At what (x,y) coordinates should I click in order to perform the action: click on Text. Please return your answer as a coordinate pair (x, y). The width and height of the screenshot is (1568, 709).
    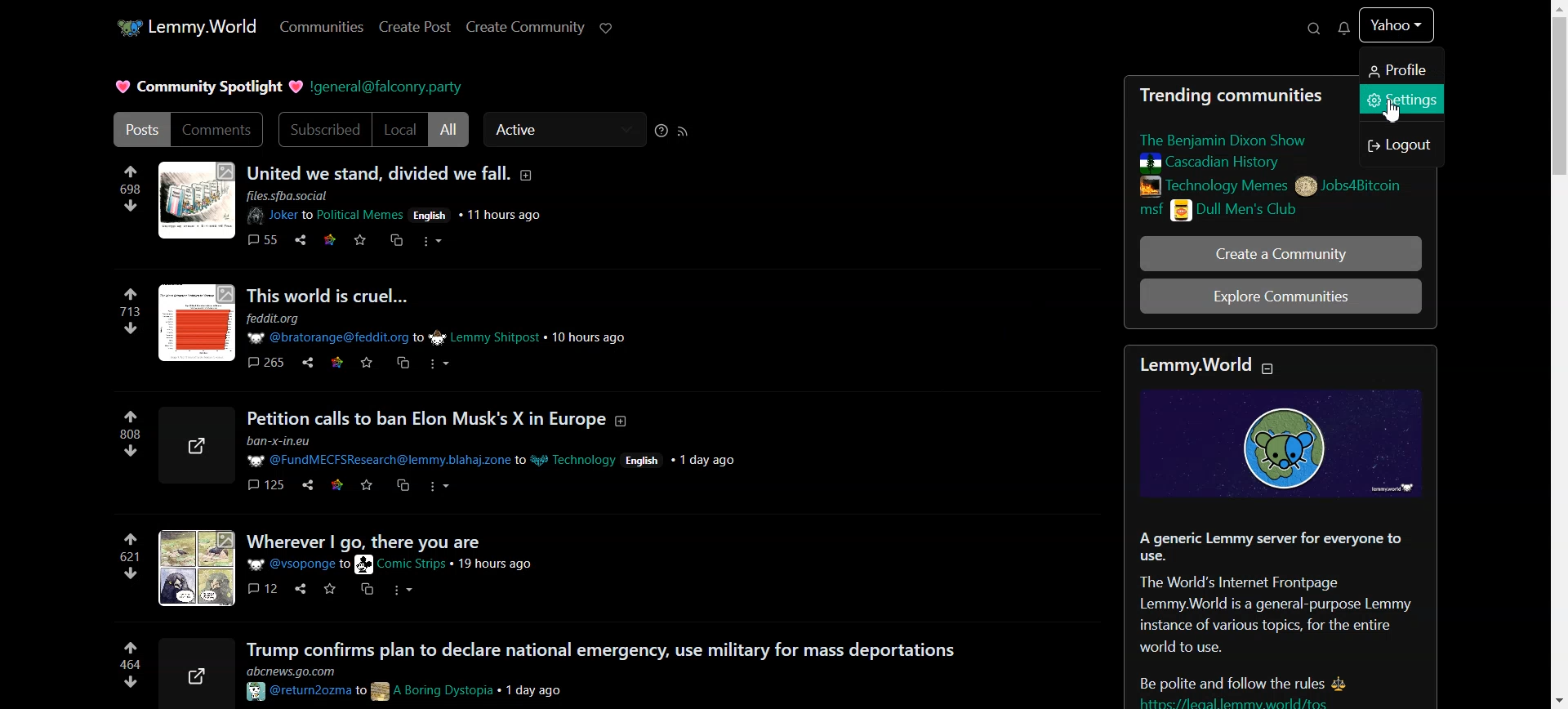
    Looking at the image, I should click on (207, 87).